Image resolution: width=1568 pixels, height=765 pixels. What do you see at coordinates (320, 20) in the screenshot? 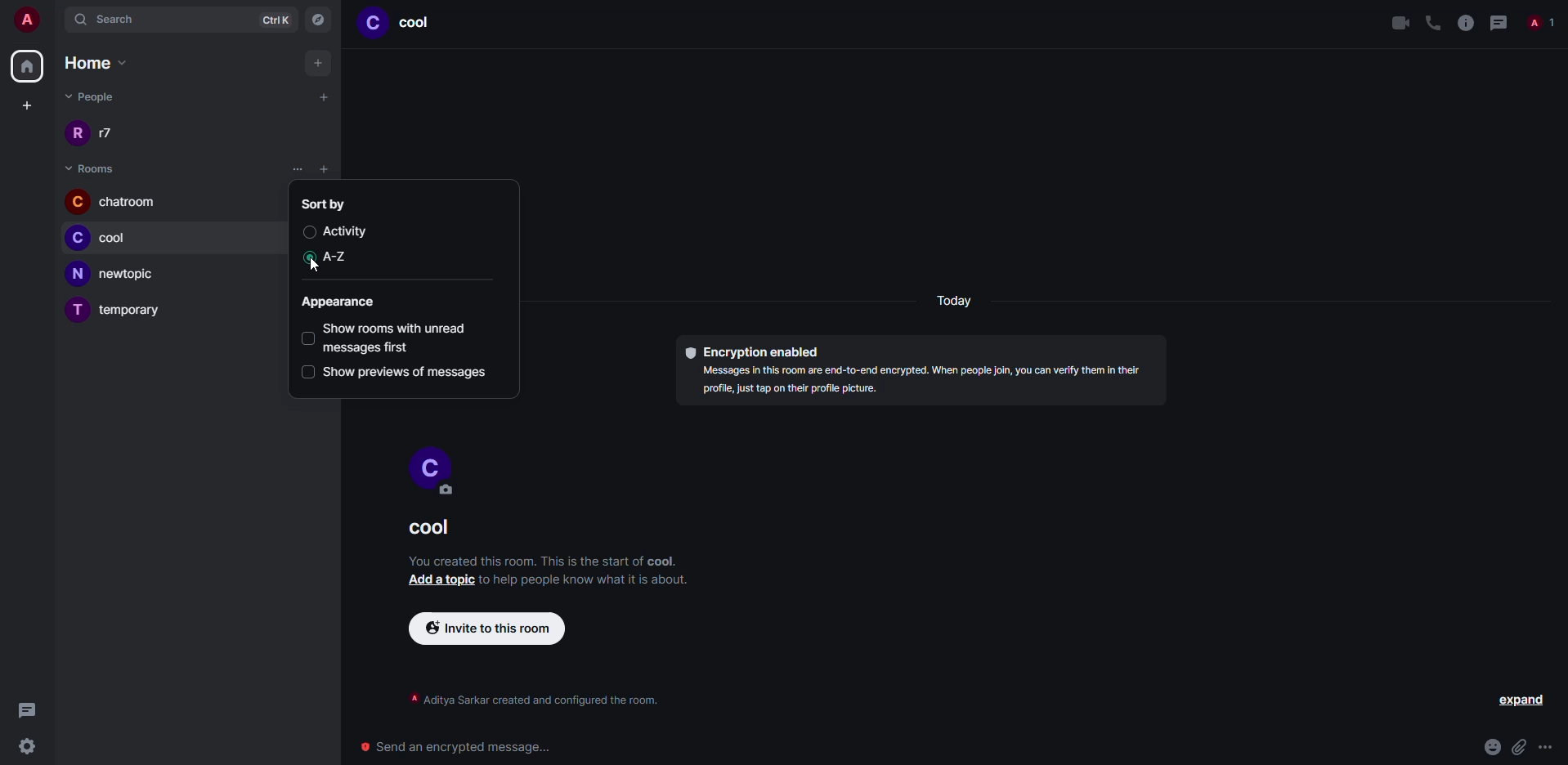
I see `navigator` at bounding box center [320, 20].